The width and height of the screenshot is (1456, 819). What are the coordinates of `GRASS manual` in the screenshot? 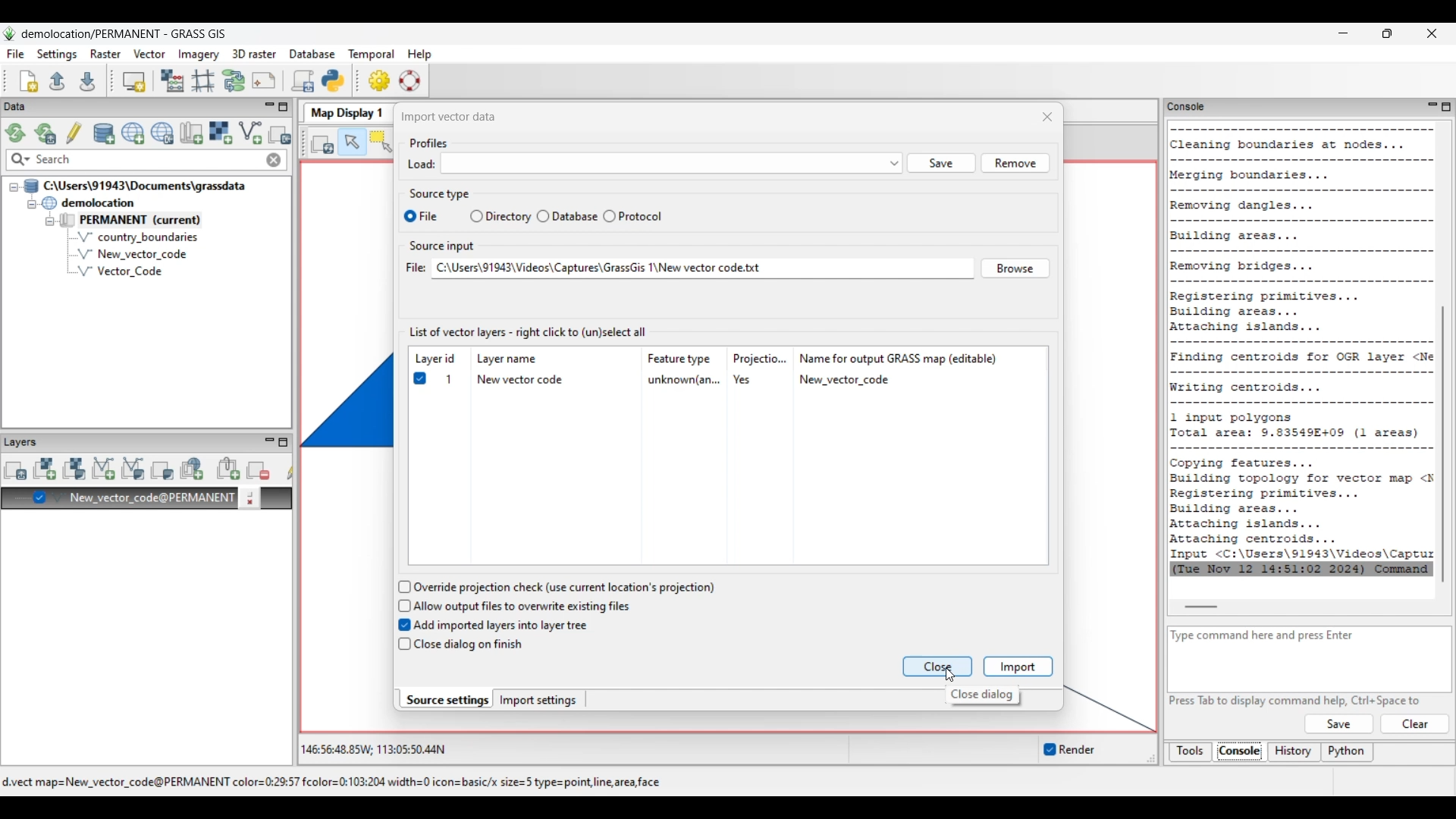 It's located at (409, 80).